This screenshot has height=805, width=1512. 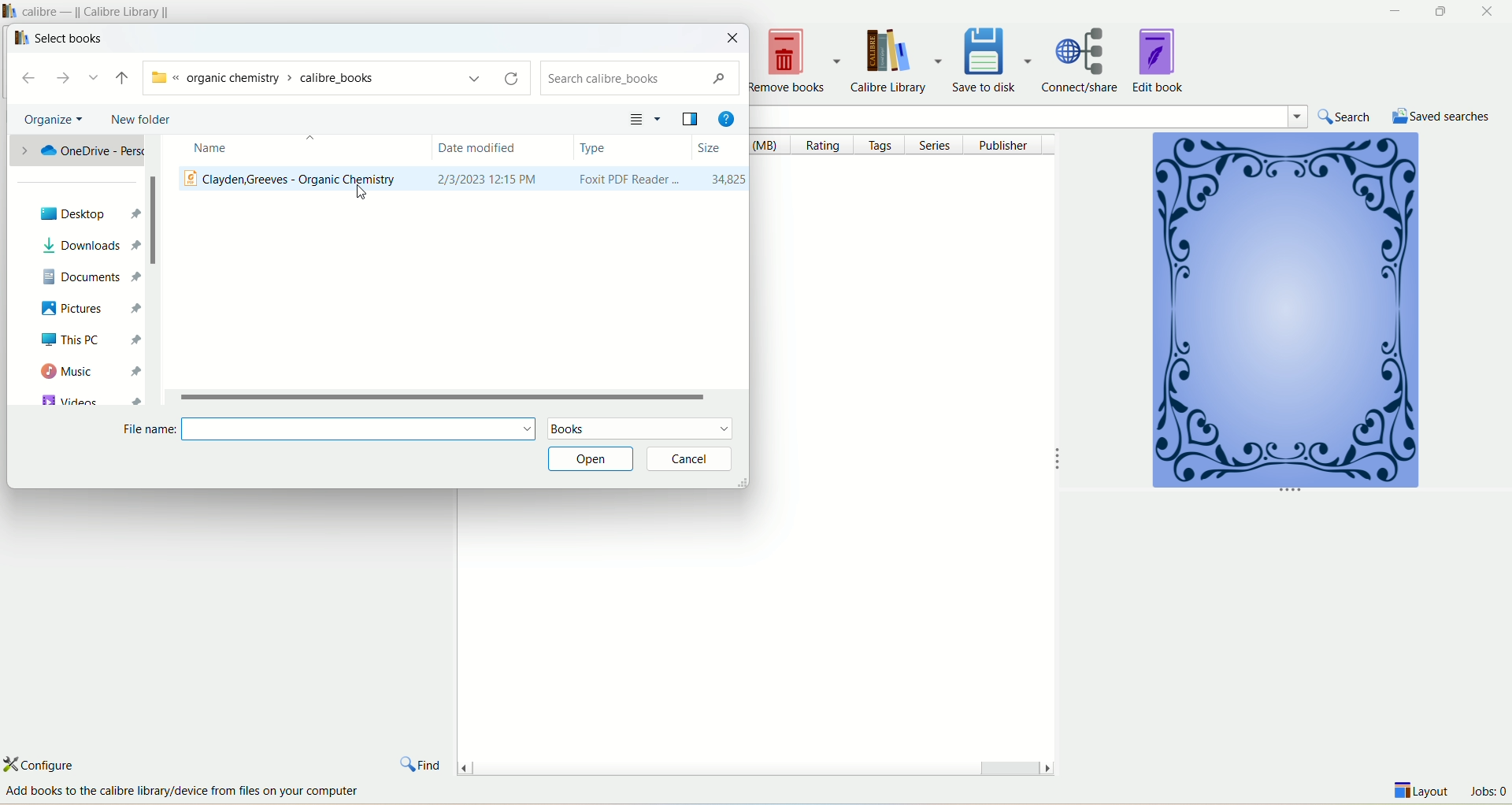 I want to click on calibre, so click(x=101, y=10).